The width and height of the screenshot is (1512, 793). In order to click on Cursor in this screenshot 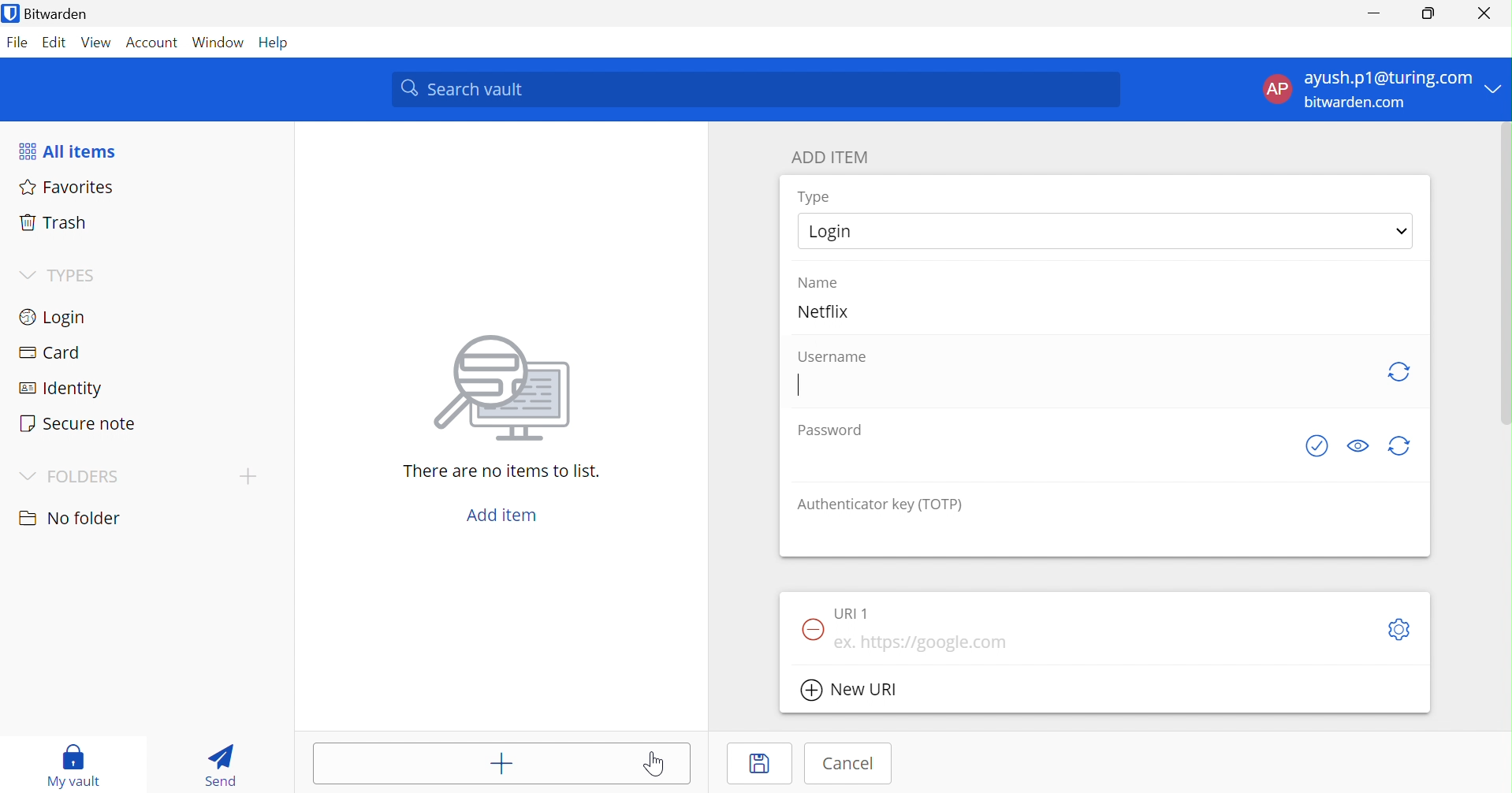, I will do `click(798, 384)`.